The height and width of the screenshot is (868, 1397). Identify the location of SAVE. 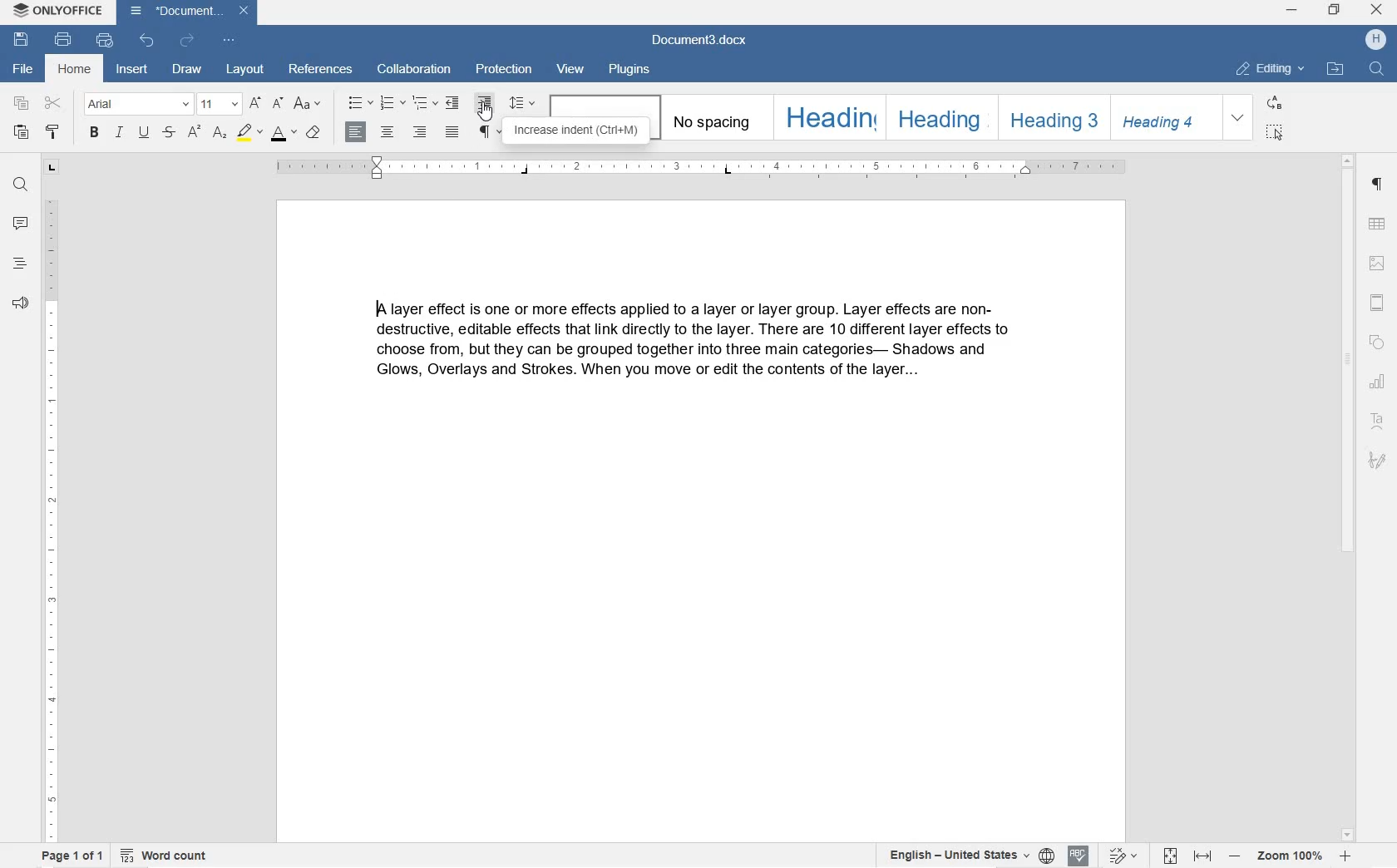
(22, 42).